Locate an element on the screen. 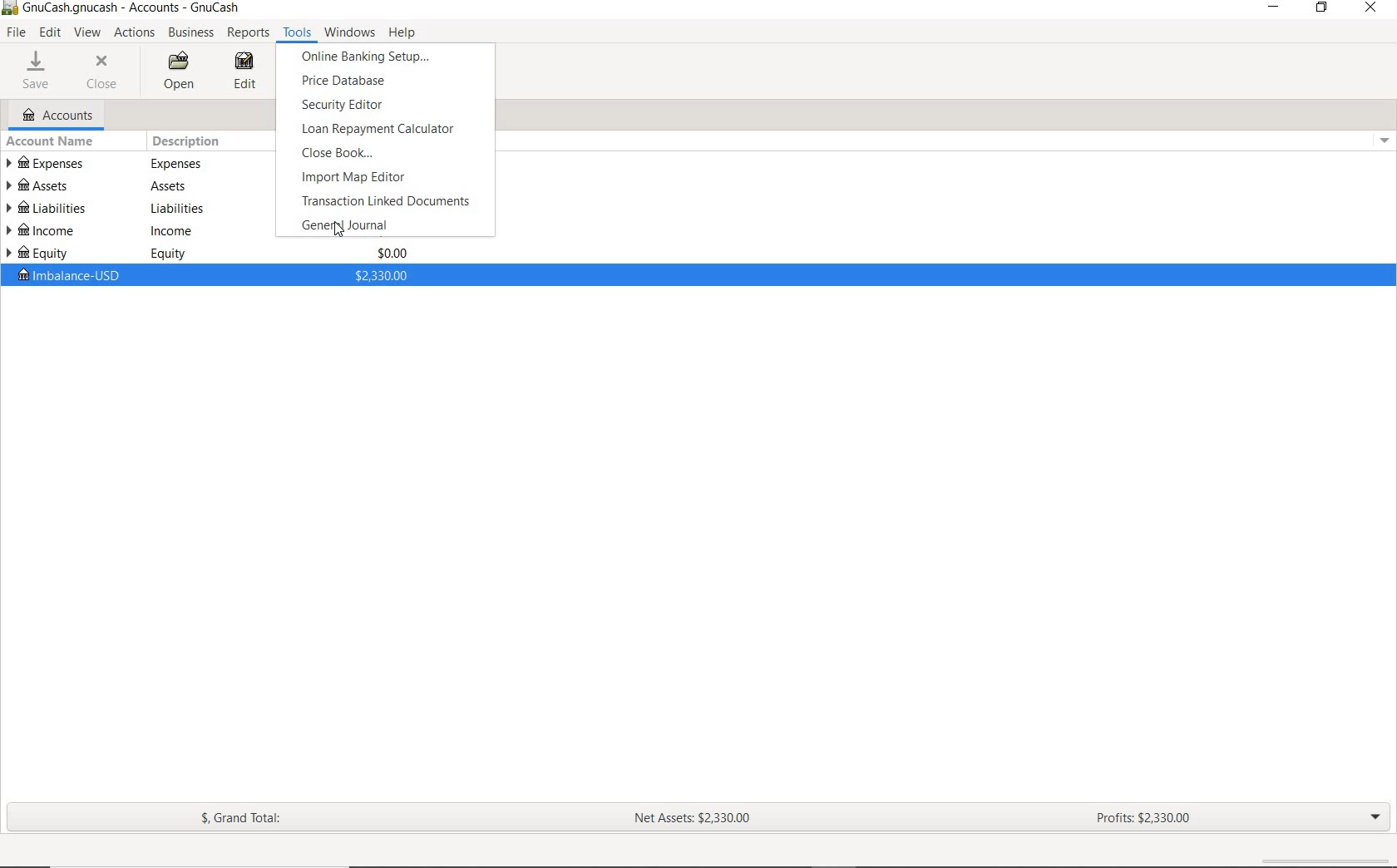  FILE is located at coordinates (14, 34).